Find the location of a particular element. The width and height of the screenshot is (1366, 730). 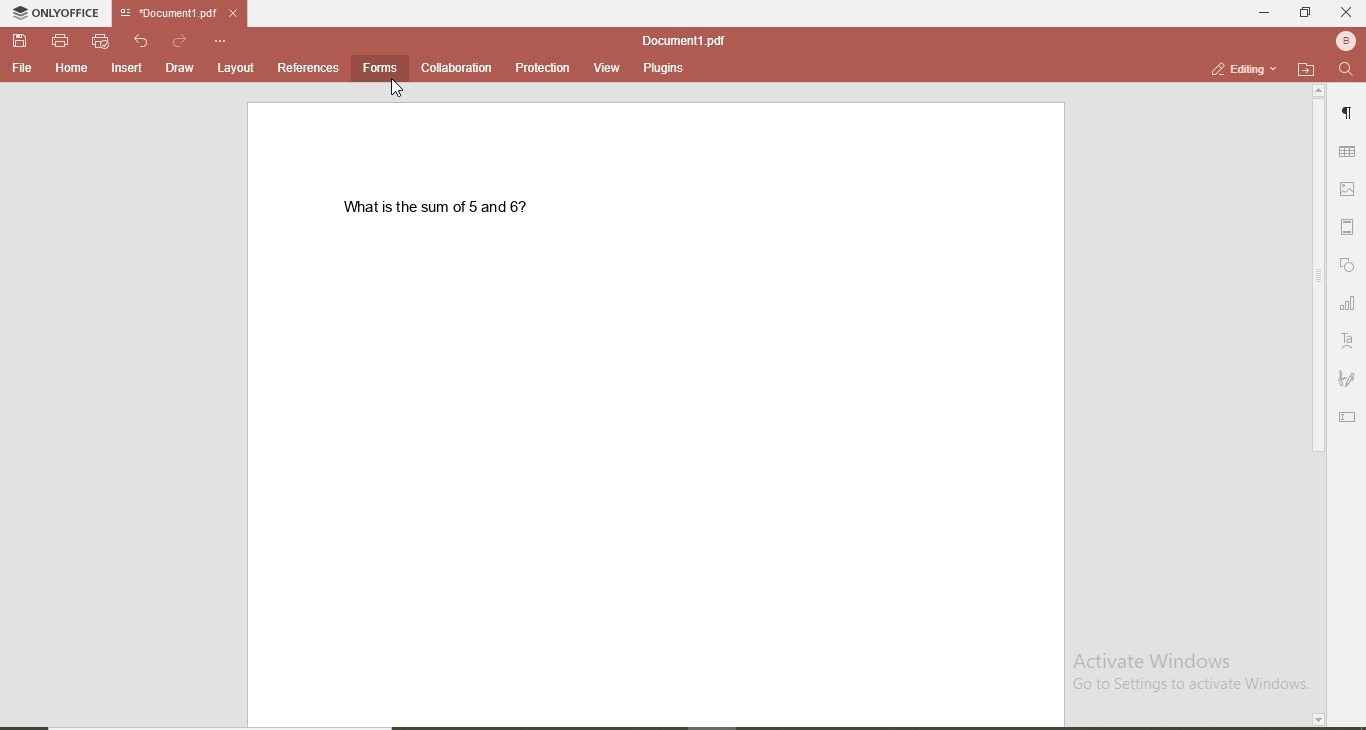

Activate windows is located at coordinates (1195, 671).